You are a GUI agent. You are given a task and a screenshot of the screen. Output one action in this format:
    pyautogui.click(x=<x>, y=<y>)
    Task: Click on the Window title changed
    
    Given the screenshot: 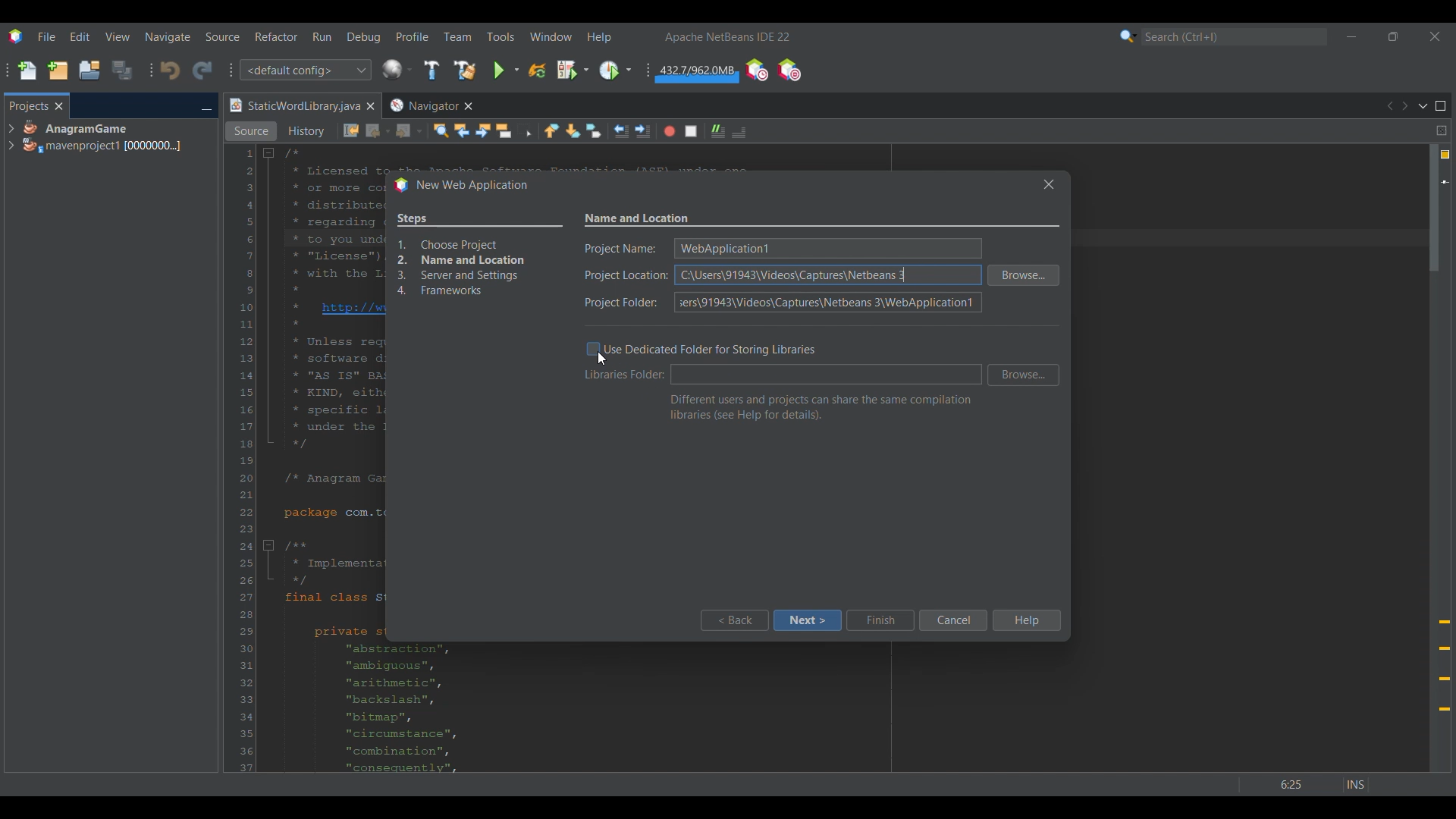 What is the action you would take?
    pyautogui.click(x=460, y=186)
    